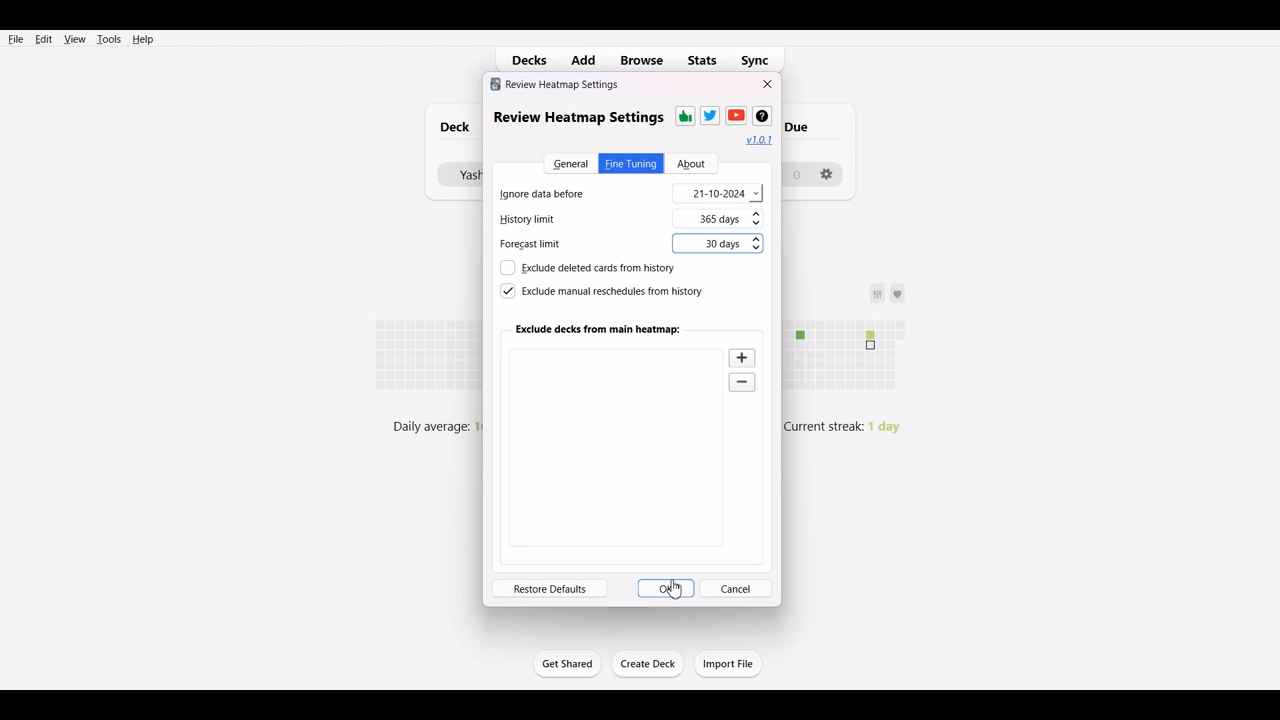  What do you see at coordinates (525, 60) in the screenshot?
I see `Decks` at bounding box center [525, 60].